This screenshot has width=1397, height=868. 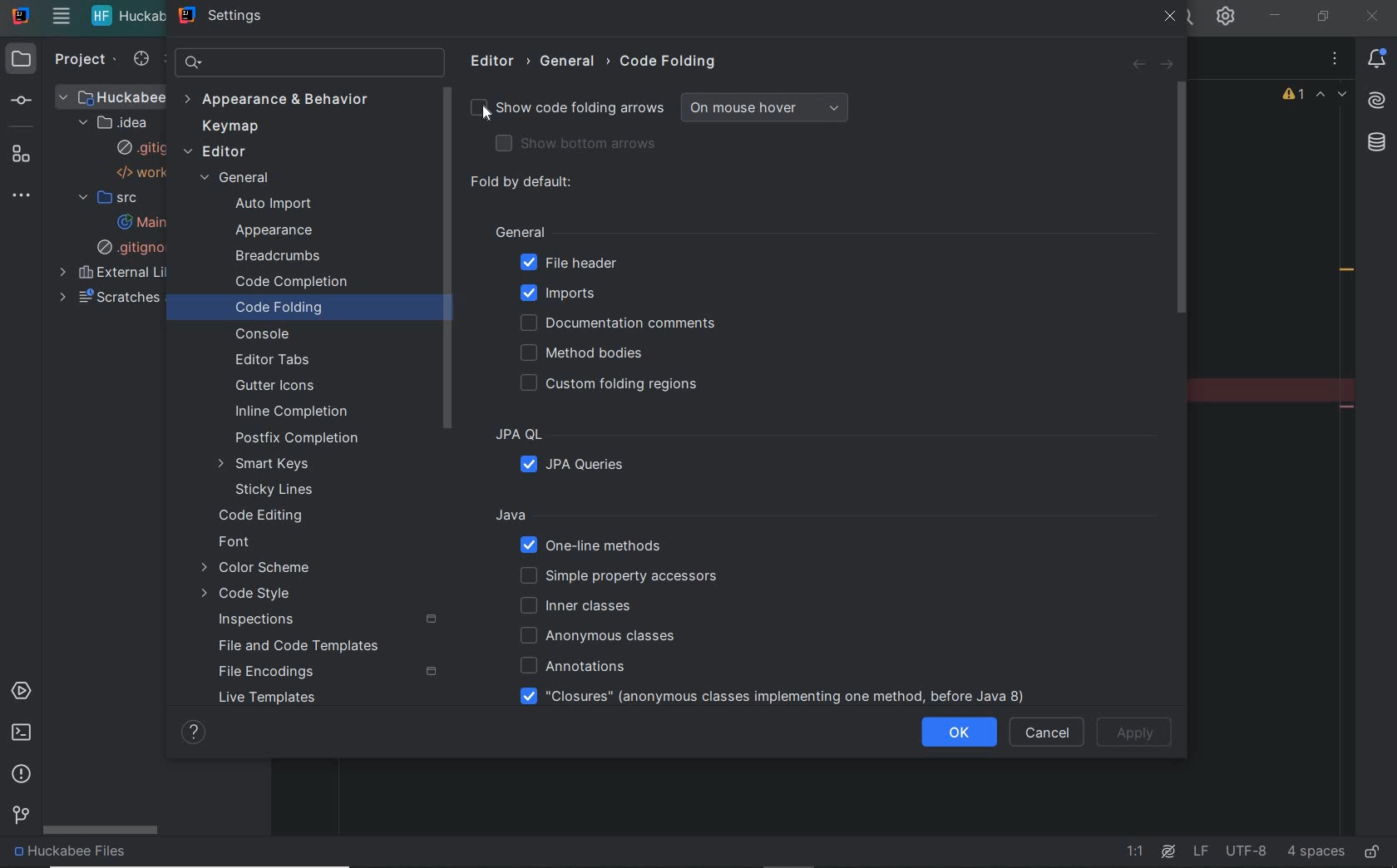 What do you see at coordinates (228, 17) in the screenshot?
I see `settings` at bounding box center [228, 17].